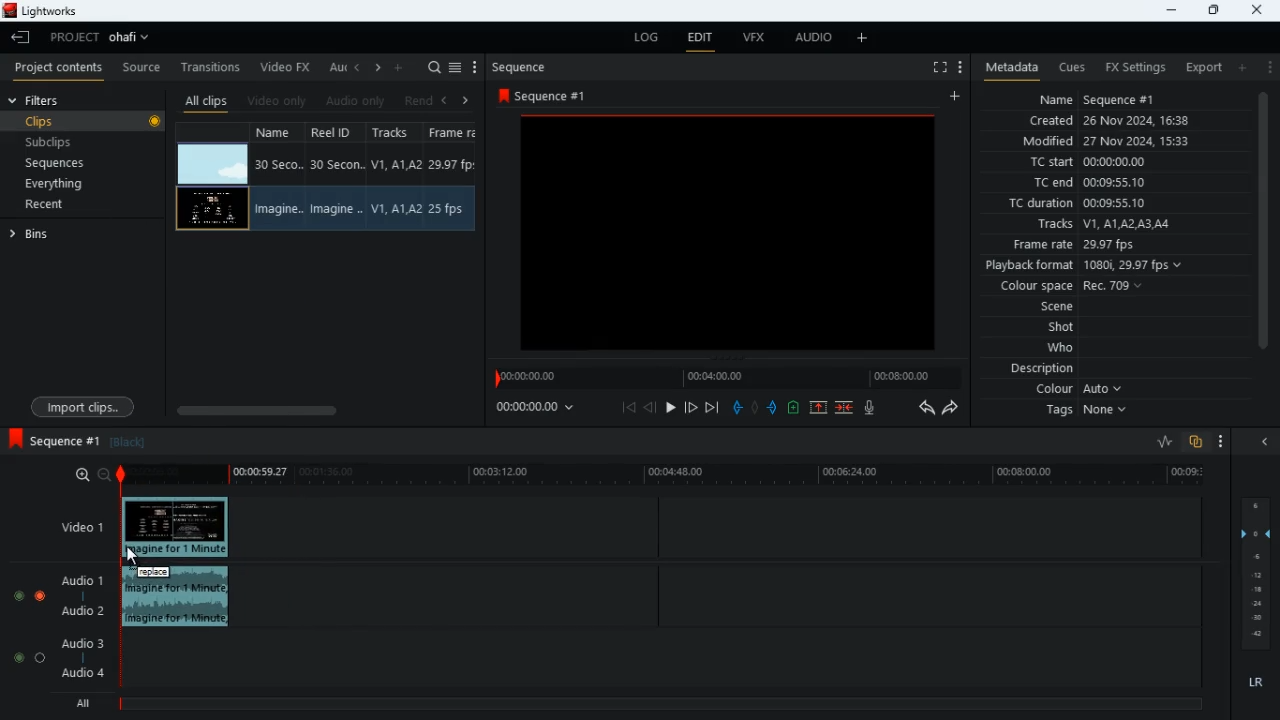 The height and width of the screenshot is (720, 1280). What do you see at coordinates (1033, 369) in the screenshot?
I see `description` at bounding box center [1033, 369].